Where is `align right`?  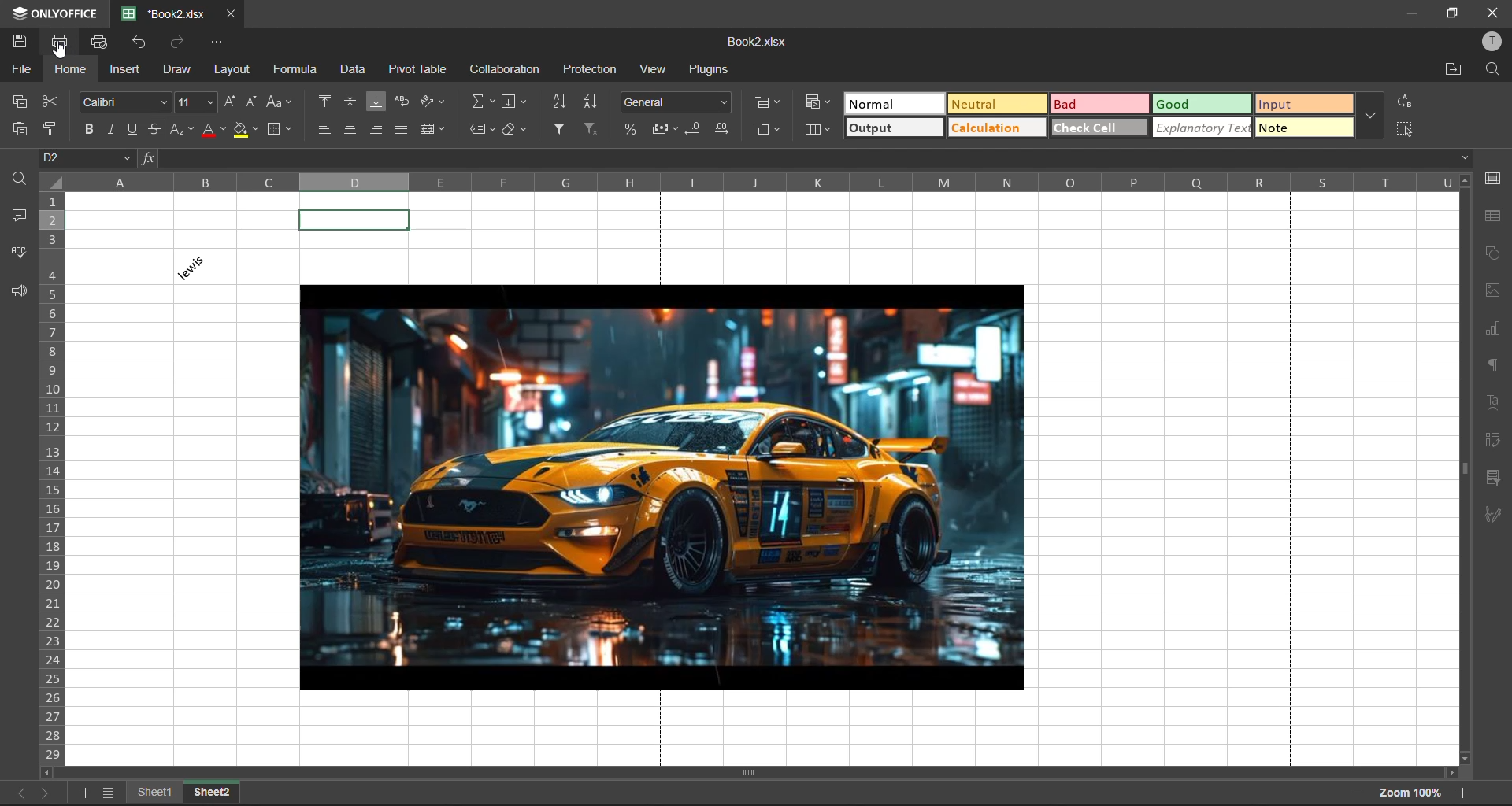 align right is located at coordinates (380, 130).